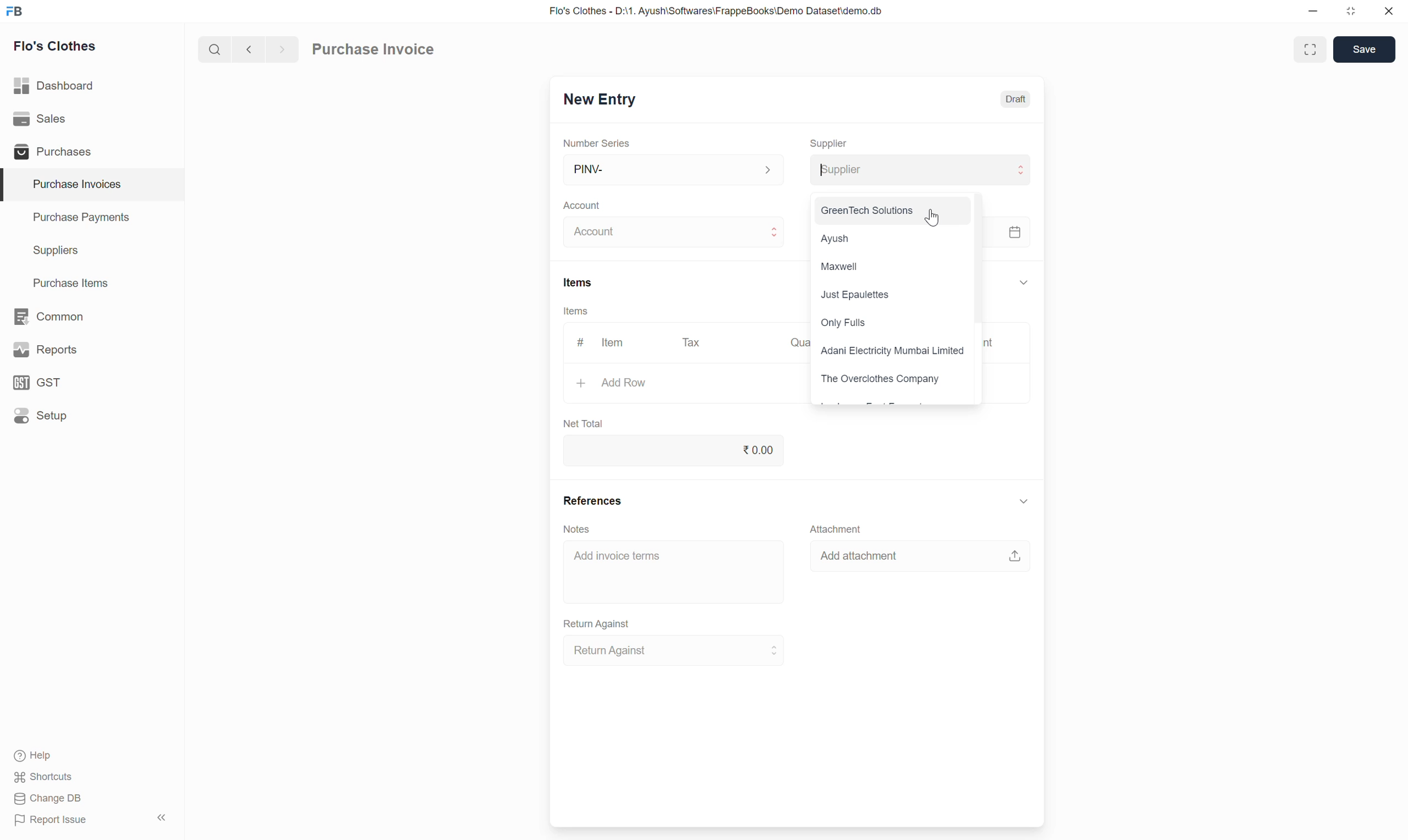 The height and width of the screenshot is (840, 1408). Describe the element at coordinates (1389, 11) in the screenshot. I see `Close` at that location.